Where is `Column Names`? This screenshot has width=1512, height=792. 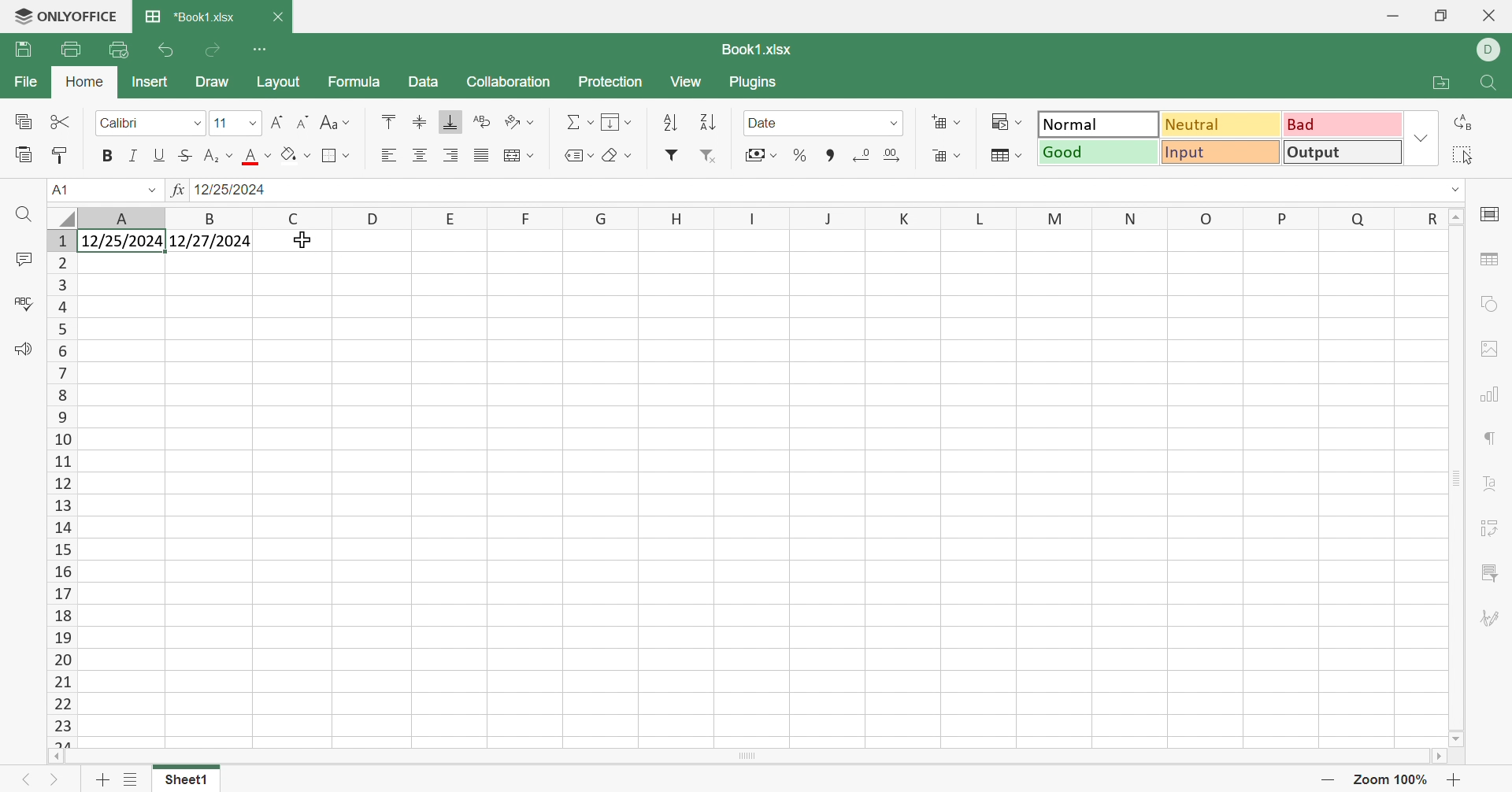
Column Names is located at coordinates (755, 217).